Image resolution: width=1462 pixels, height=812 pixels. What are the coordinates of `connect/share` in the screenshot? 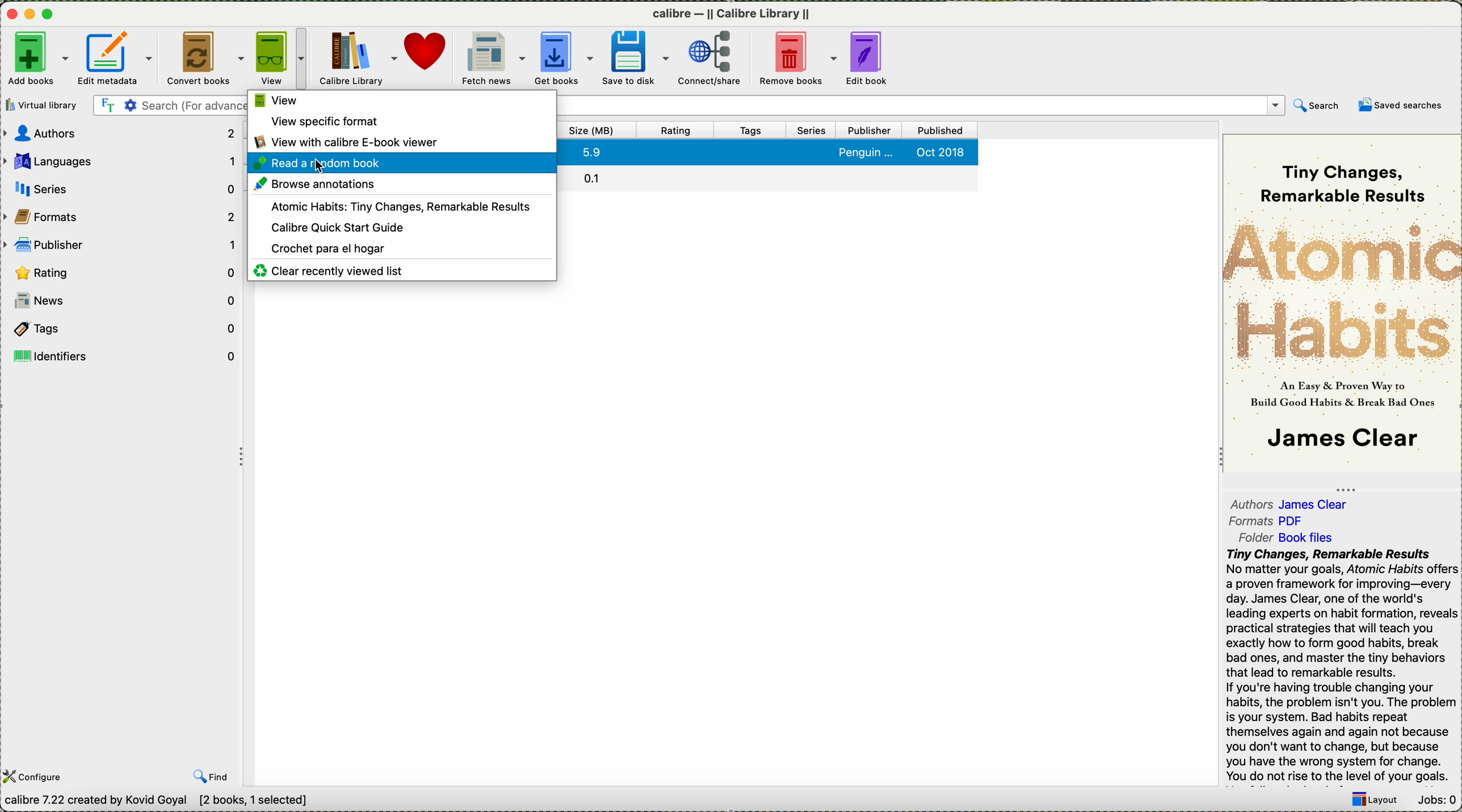 It's located at (713, 60).